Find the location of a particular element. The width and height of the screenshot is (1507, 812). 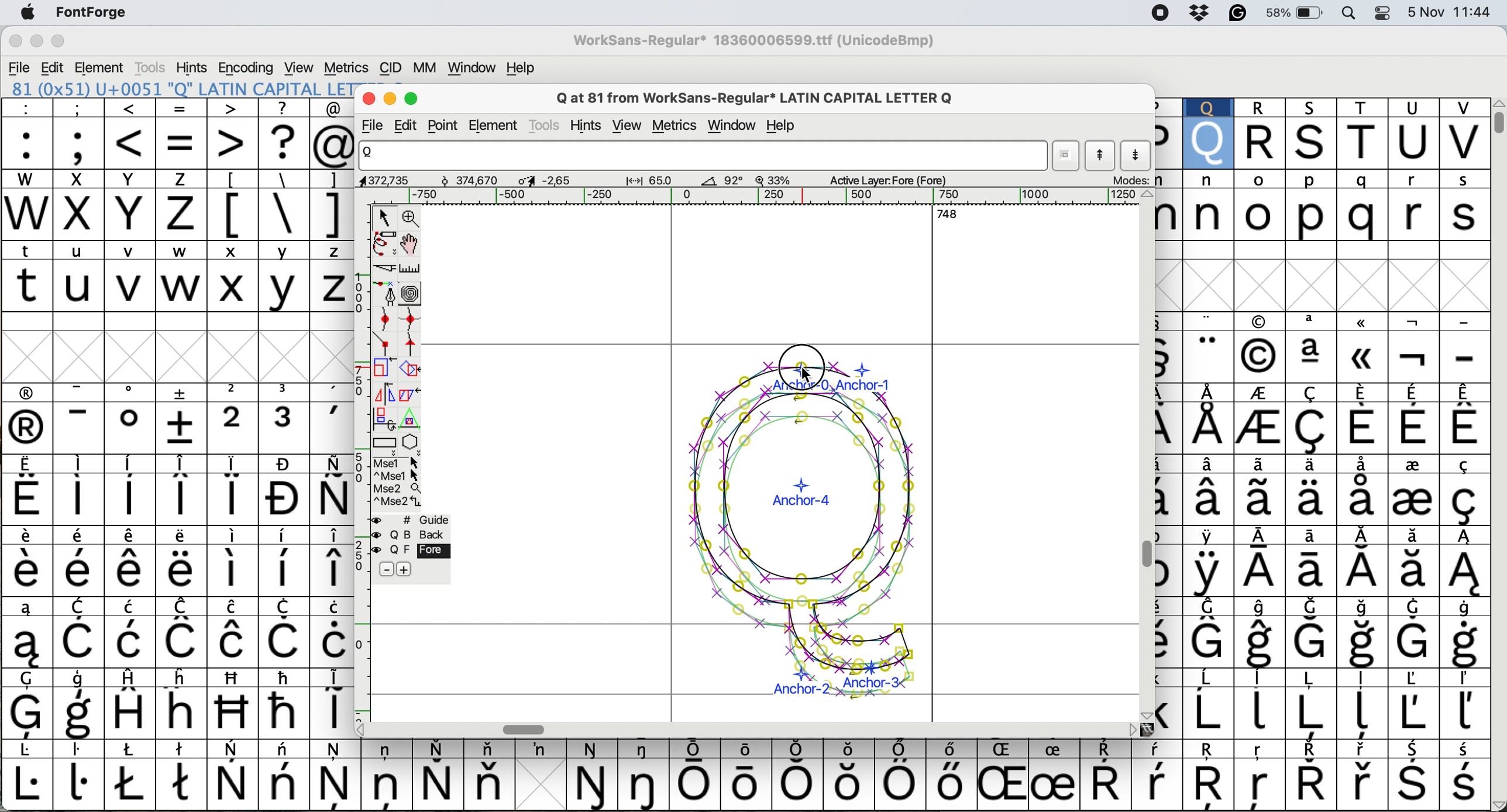

show previous letter is located at coordinates (1103, 158).